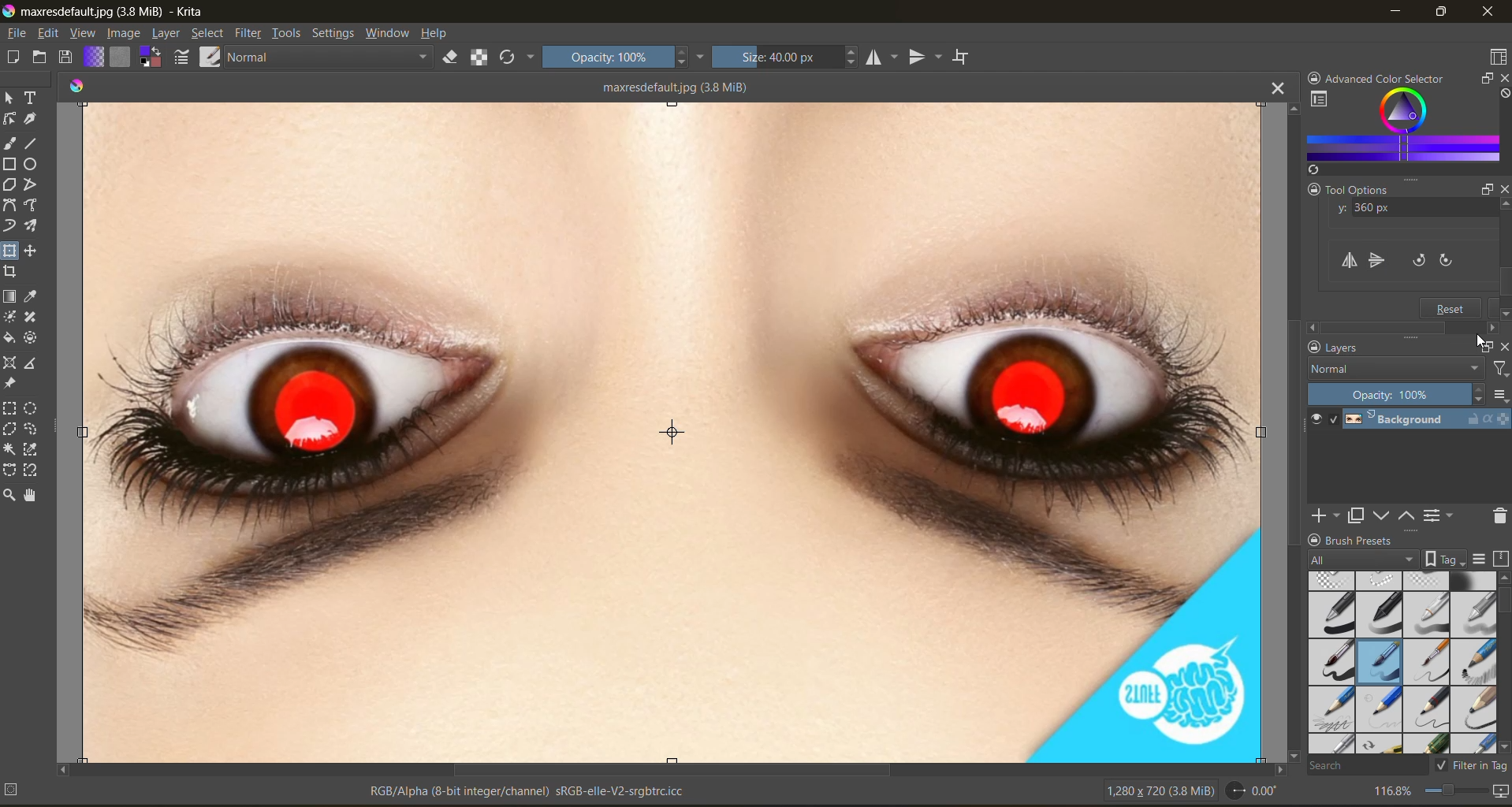  Describe the element at coordinates (1370, 210) in the screenshot. I see `y axis` at that location.